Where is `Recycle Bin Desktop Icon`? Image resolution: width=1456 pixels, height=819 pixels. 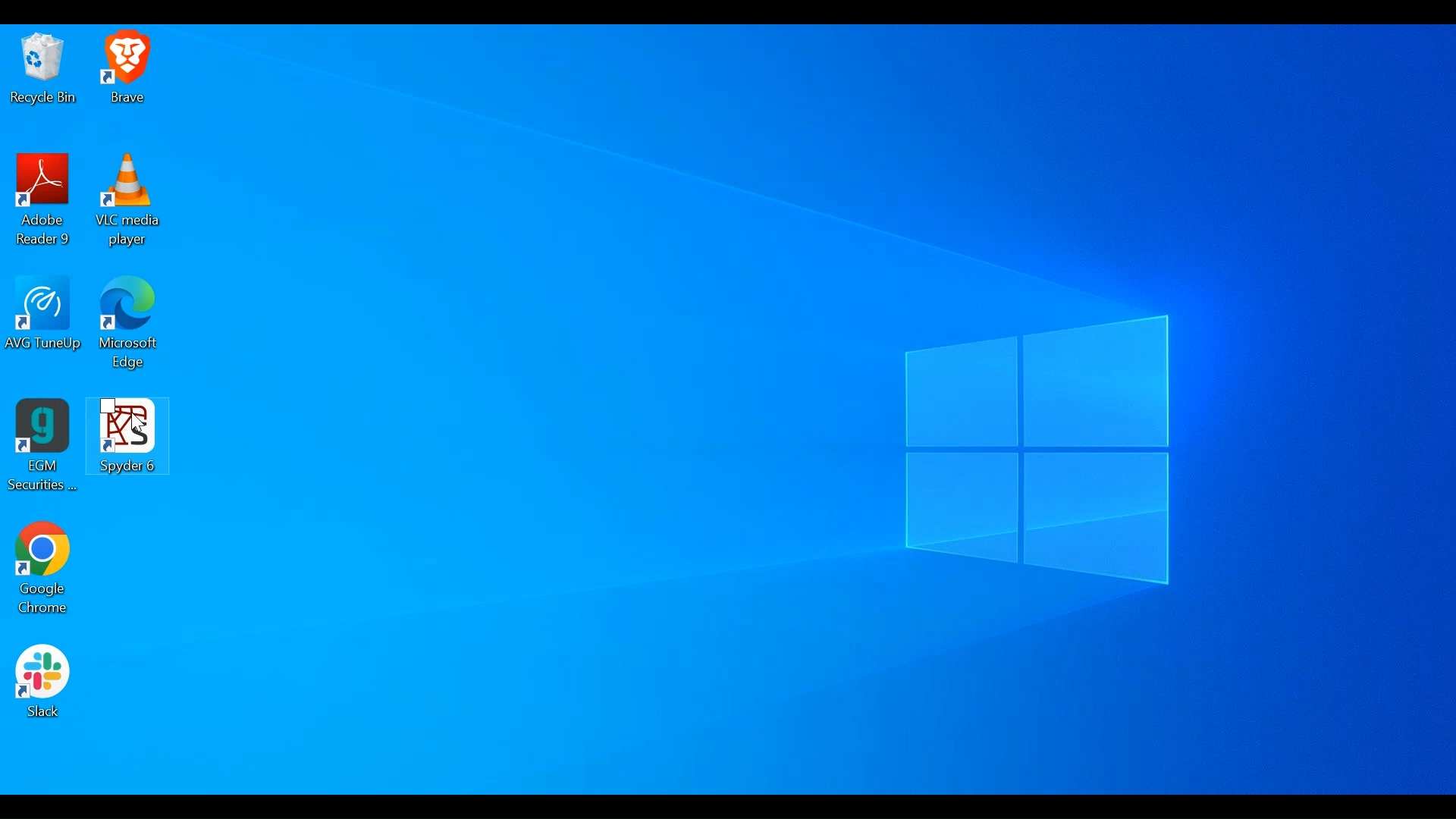
Recycle Bin Desktop Icon is located at coordinates (39, 71).